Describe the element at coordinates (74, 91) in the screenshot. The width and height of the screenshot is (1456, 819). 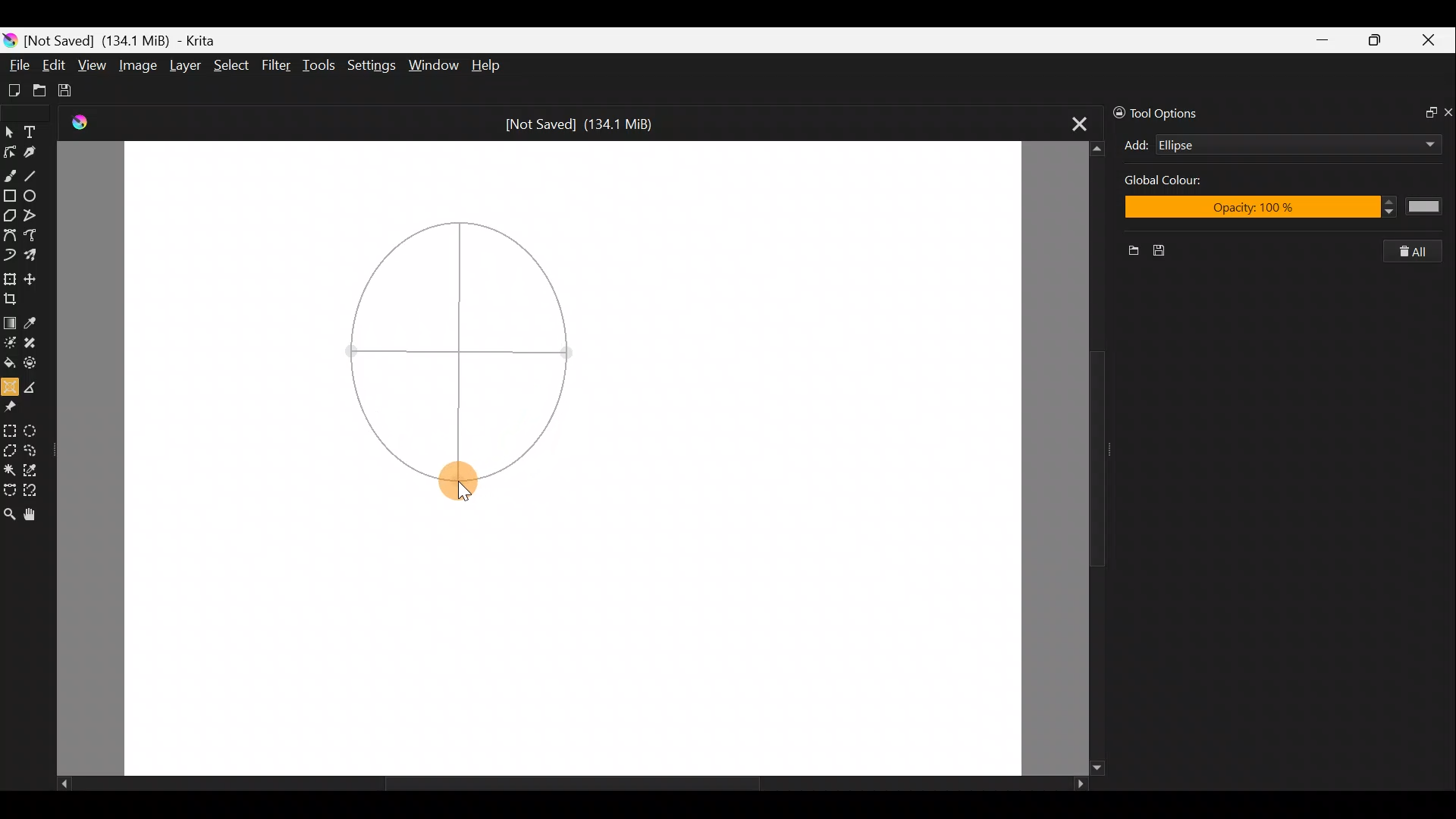
I see `Save` at that location.